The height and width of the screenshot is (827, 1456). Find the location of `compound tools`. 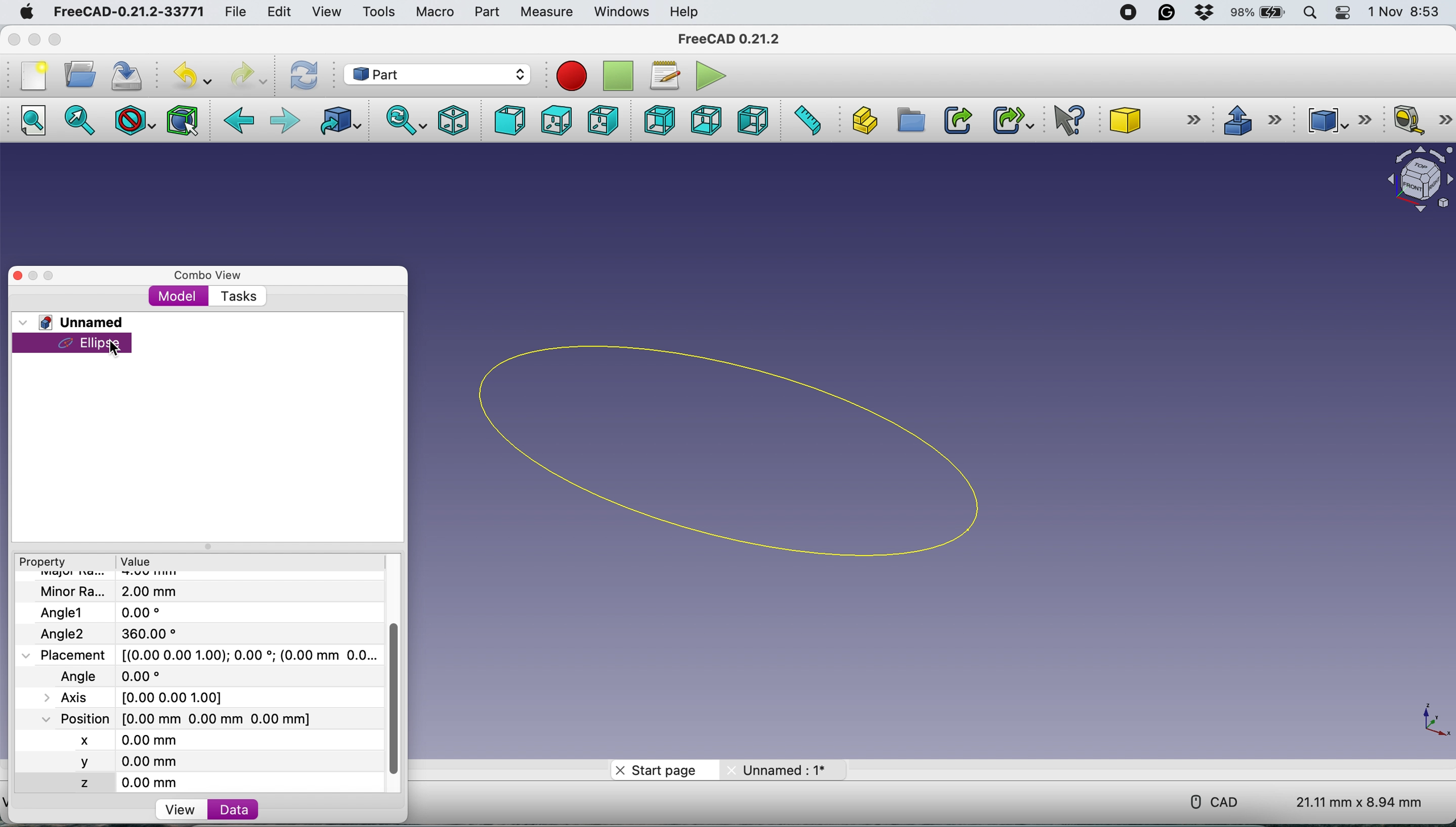

compound tools is located at coordinates (1336, 120).